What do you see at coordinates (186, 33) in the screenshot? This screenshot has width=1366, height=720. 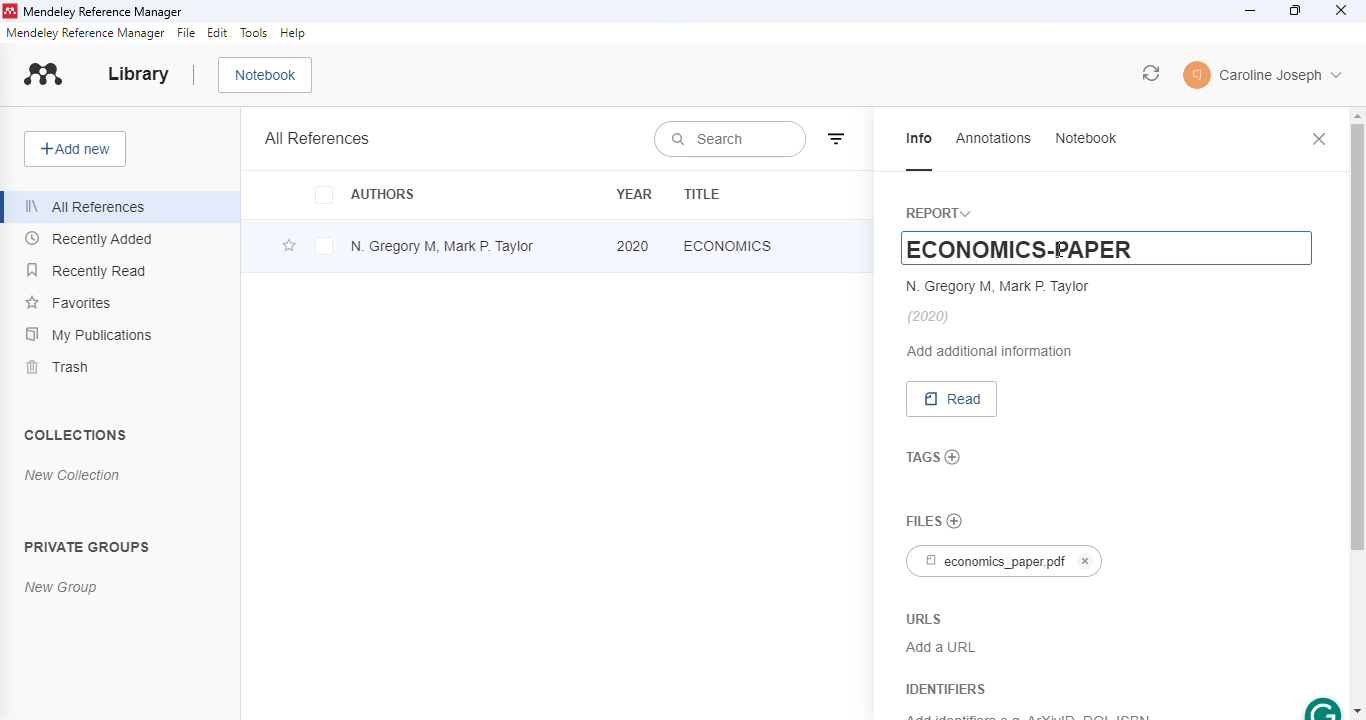 I see `file` at bounding box center [186, 33].